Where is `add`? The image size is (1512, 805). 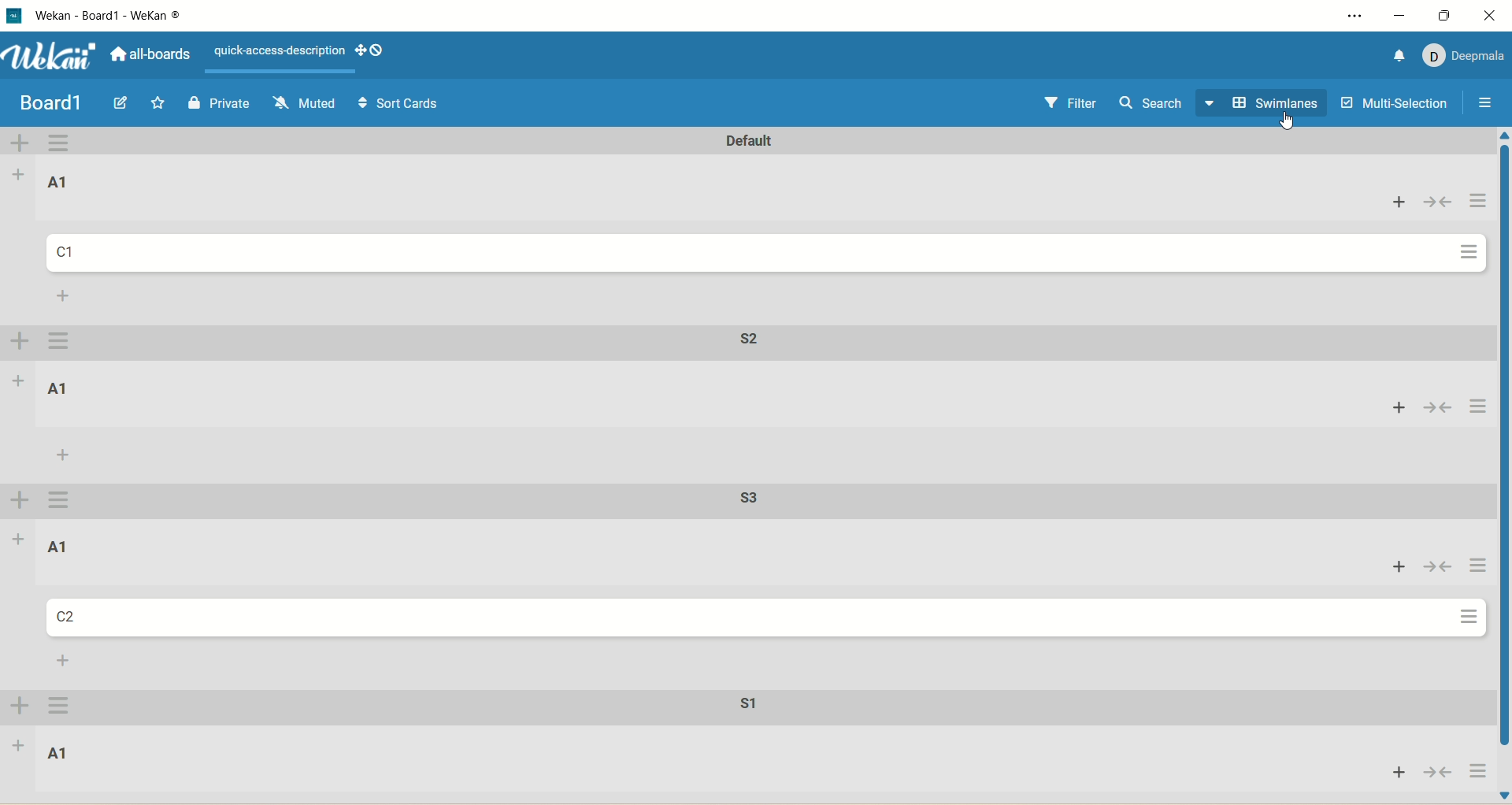 add is located at coordinates (1392, 772).